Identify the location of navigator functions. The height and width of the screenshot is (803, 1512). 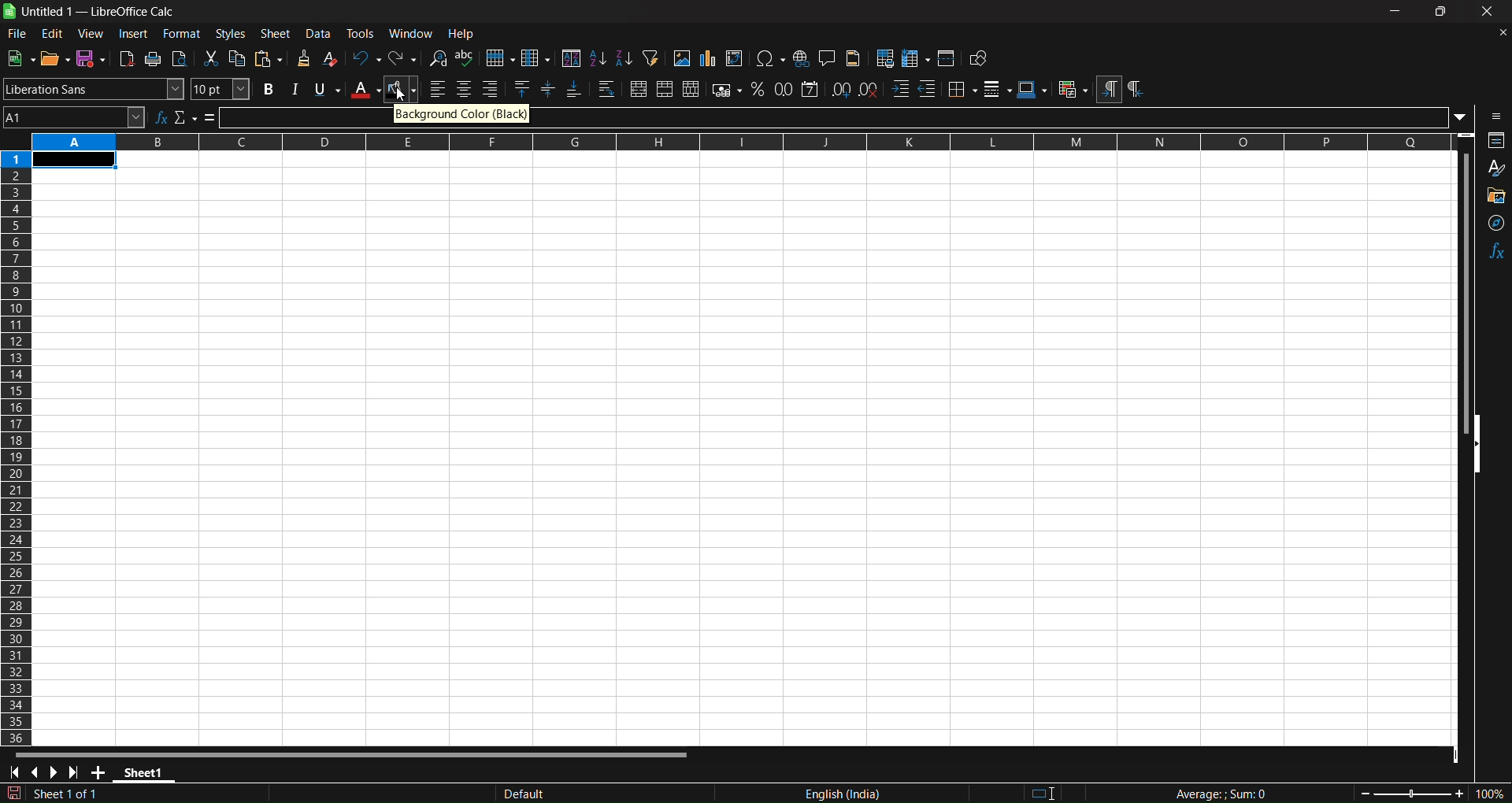
(1494, 219).